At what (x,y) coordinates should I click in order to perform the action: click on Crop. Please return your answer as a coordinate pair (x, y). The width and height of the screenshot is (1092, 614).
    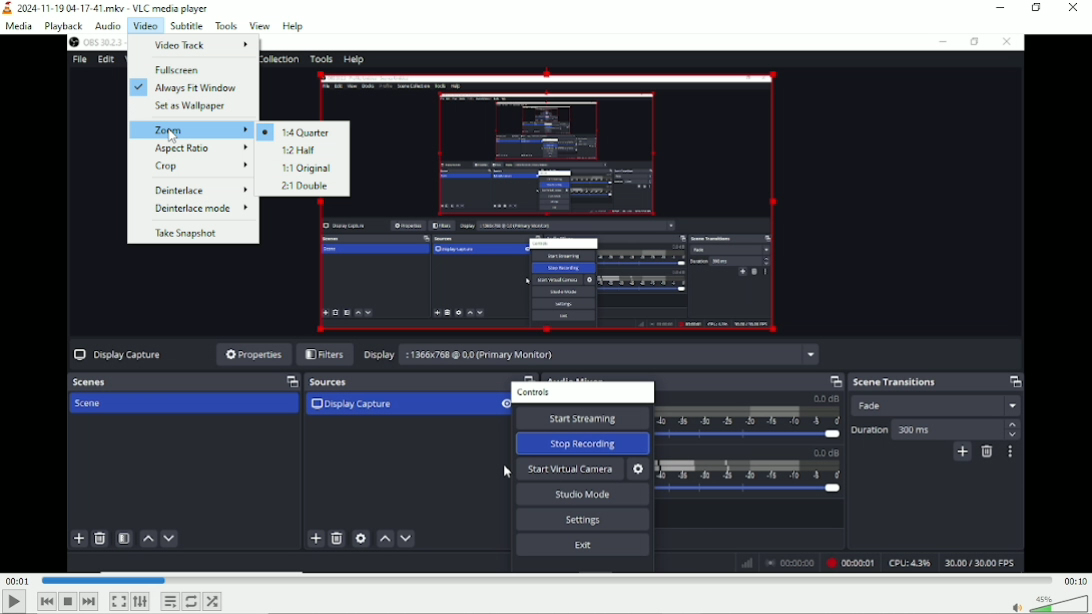
    Looking at the image, I should click on (201, 167).